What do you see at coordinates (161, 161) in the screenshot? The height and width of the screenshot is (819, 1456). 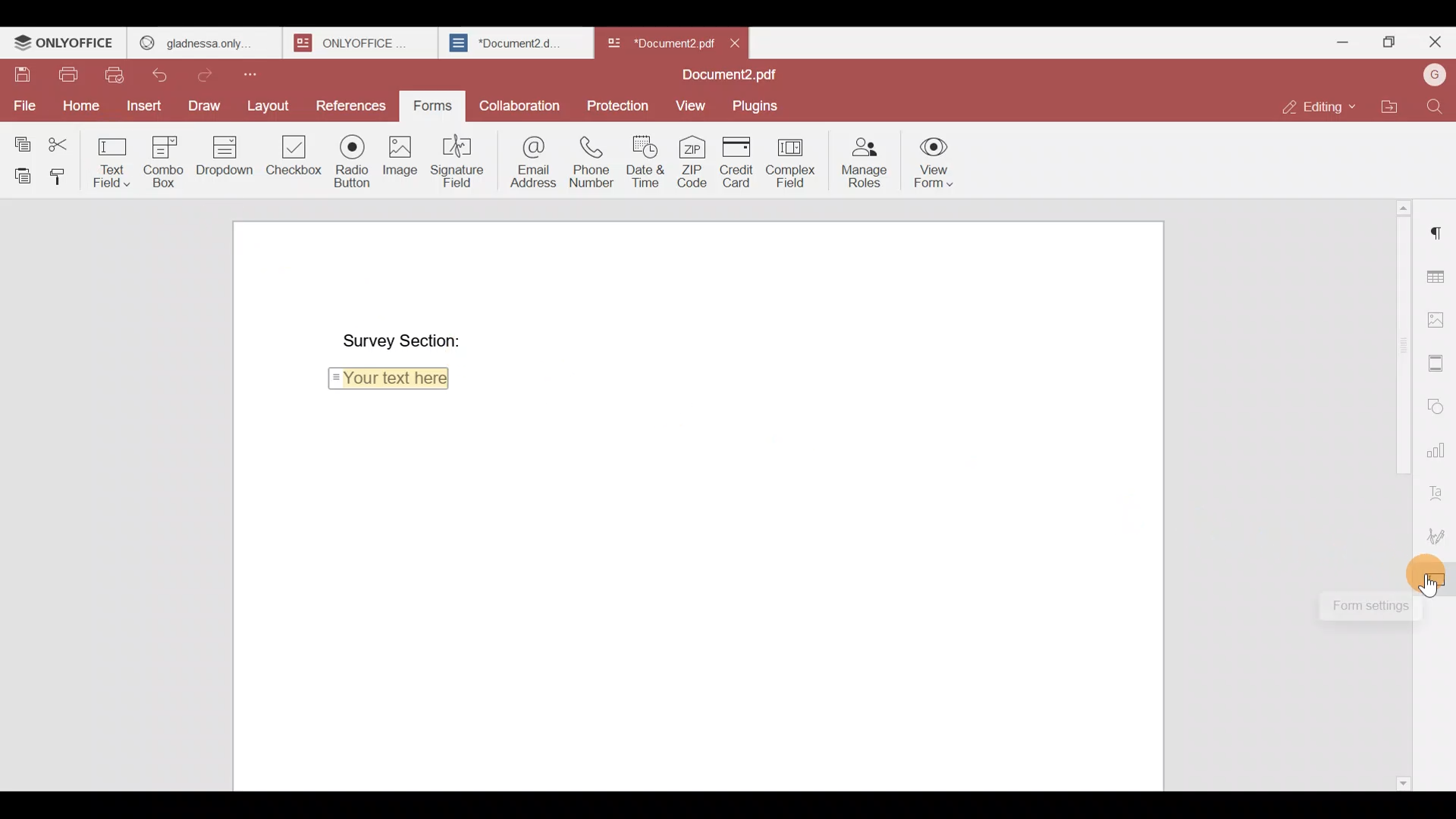 I see `Combo box` at bounding box center [161, 161].